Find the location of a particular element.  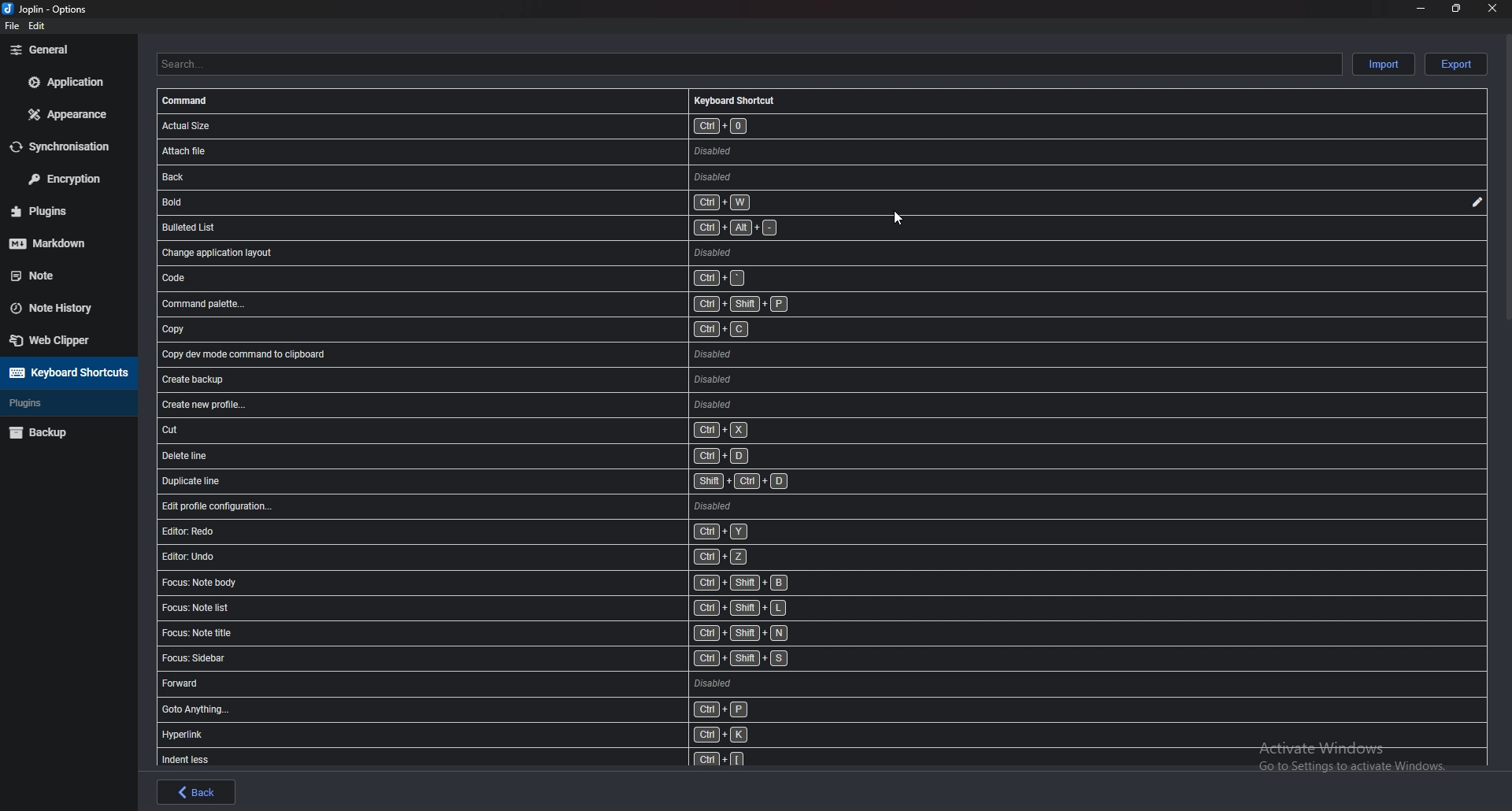

resize is located at coordinates (1456, 8).